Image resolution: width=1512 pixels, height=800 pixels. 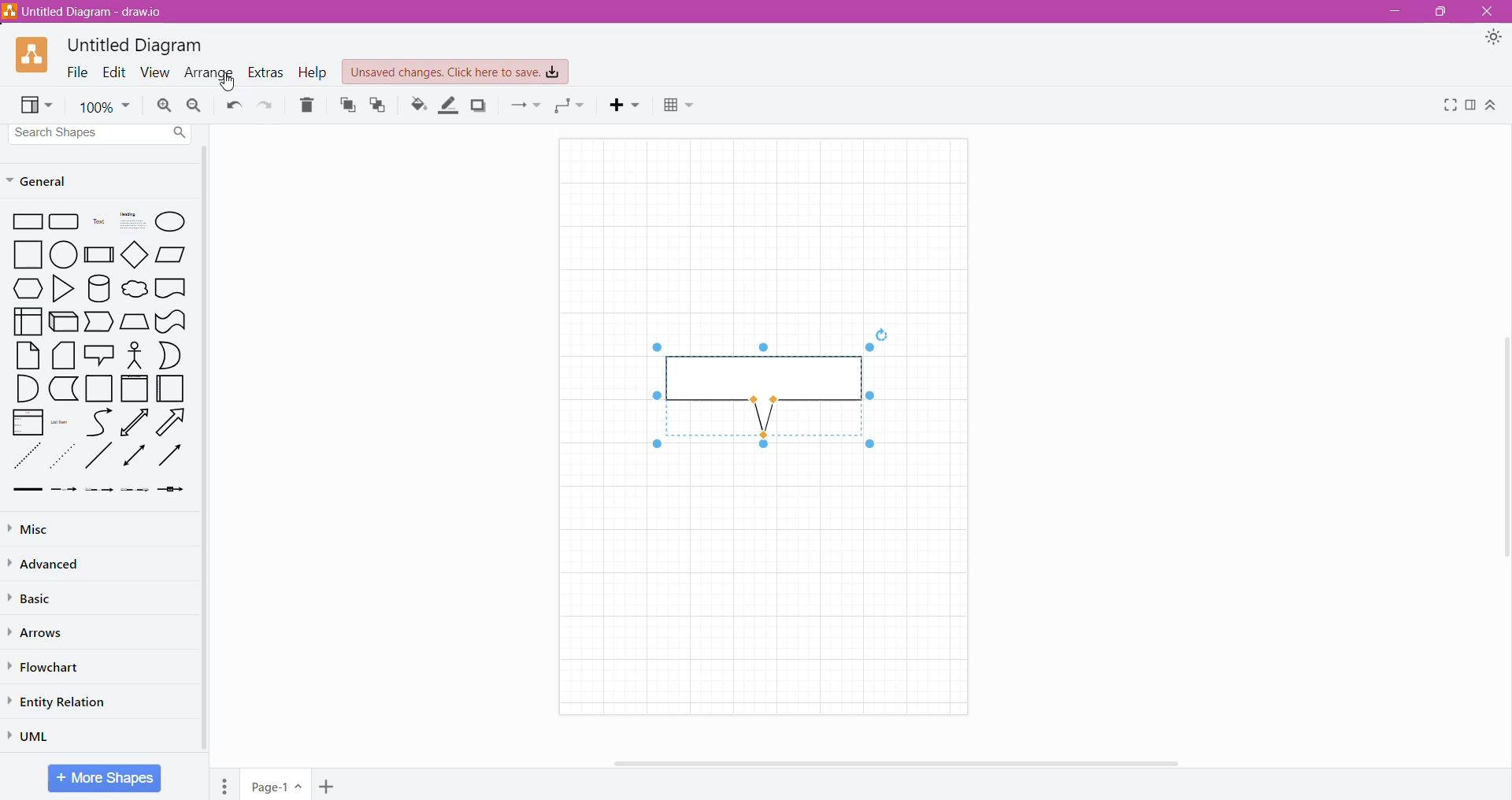 What do you see at coordinates (38, 528) in the screenshot?
I see `Misc` at bounding box center [38, 528].